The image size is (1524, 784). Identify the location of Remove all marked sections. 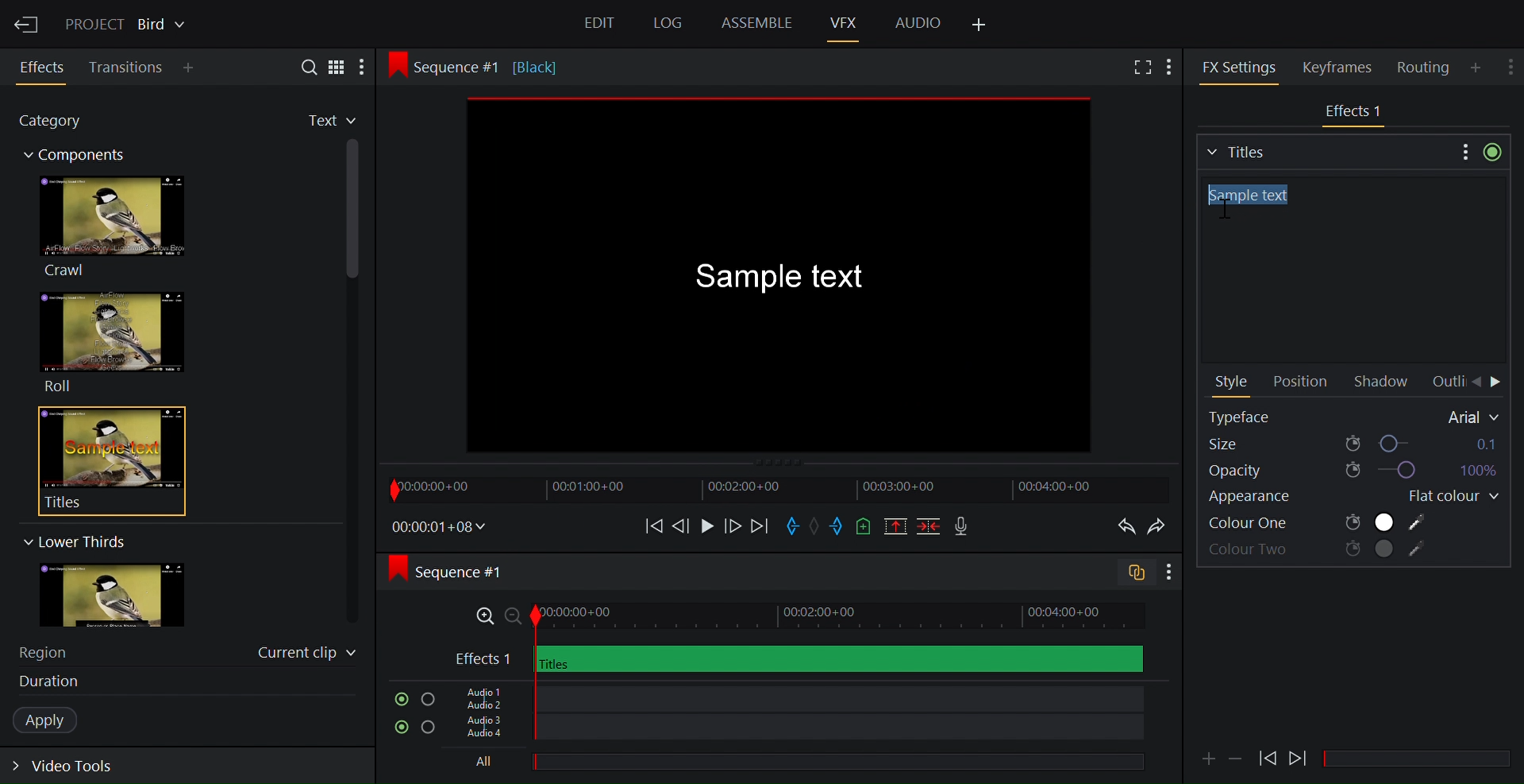
(897, 528).